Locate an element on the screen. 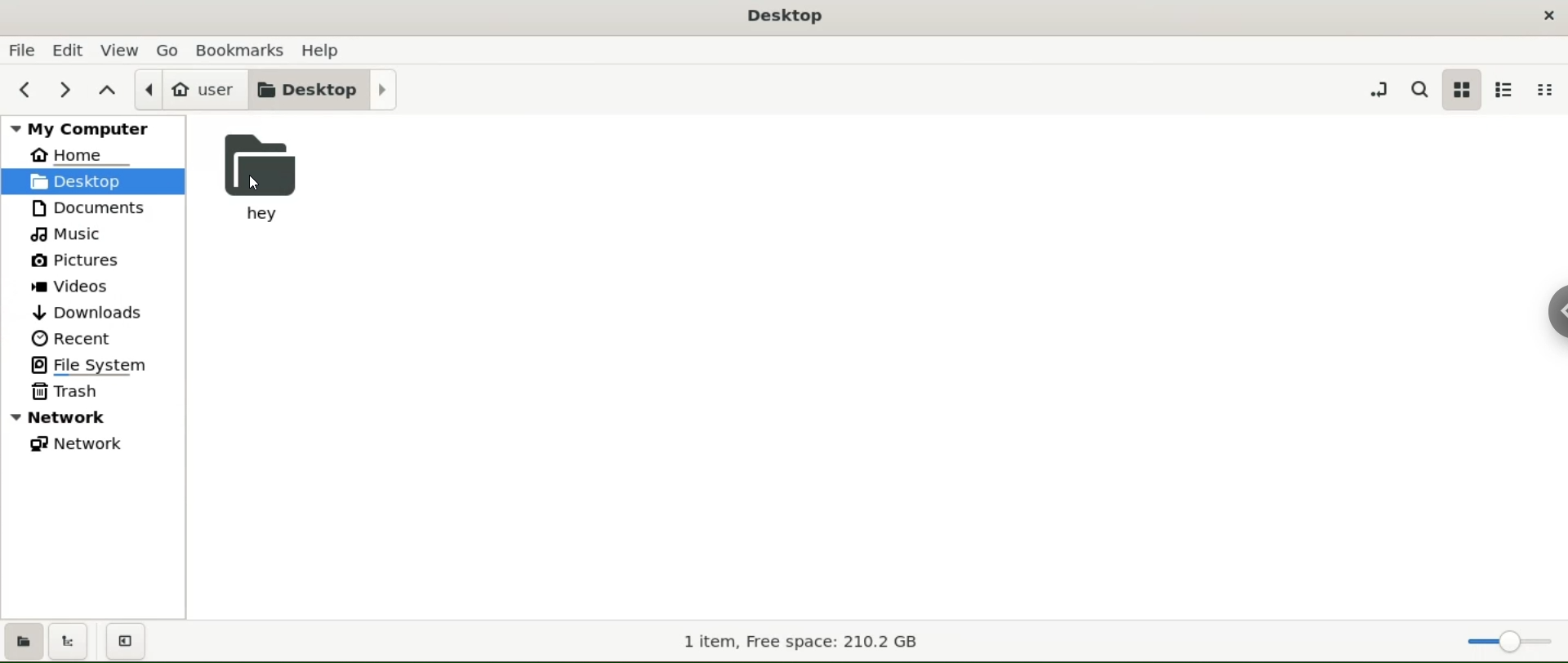 The height and width of the screenshot is (663, 1568). network is located at coordinates (93, 446).